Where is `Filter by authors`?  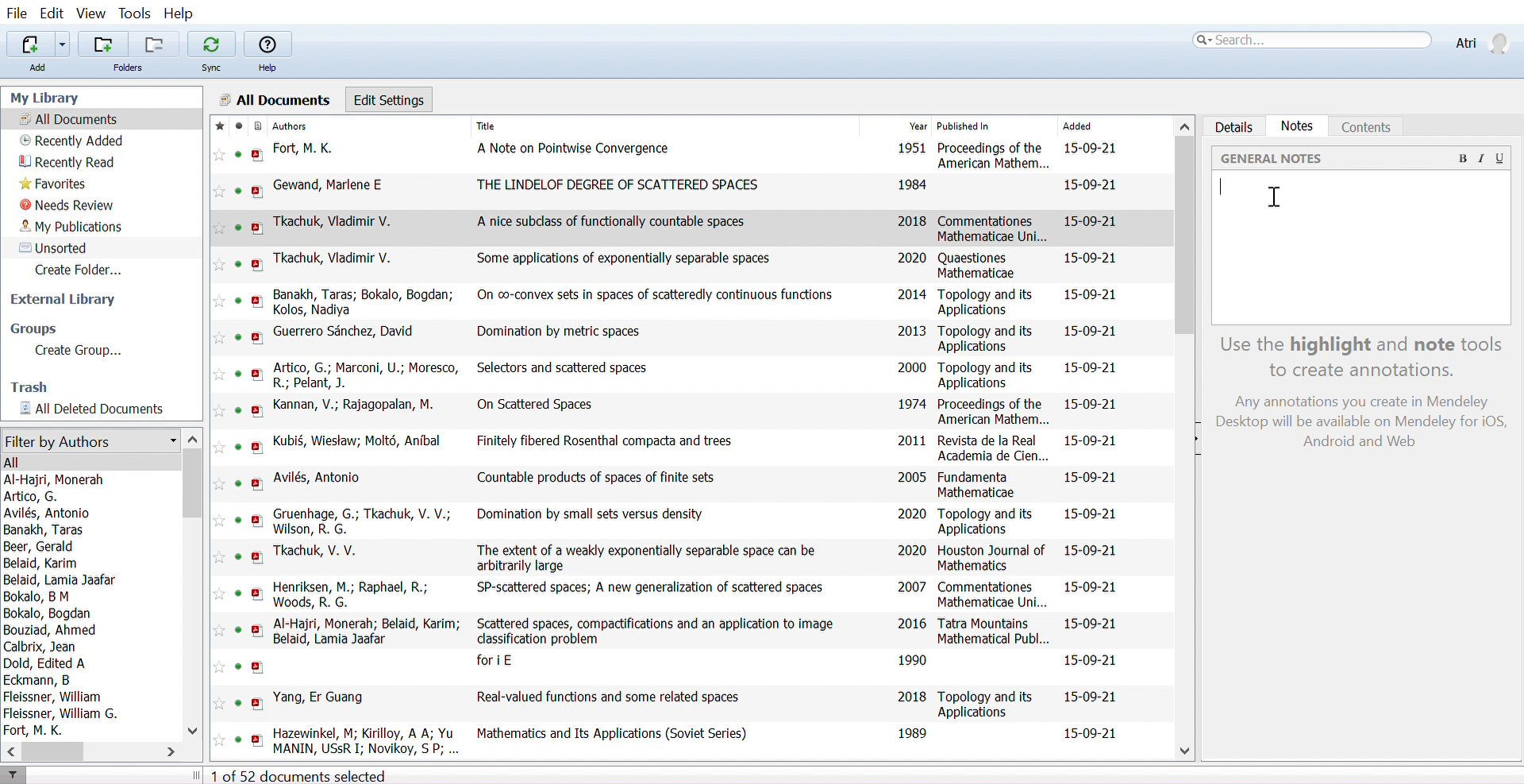 Filter by authors is located at coordinates (89, 442).